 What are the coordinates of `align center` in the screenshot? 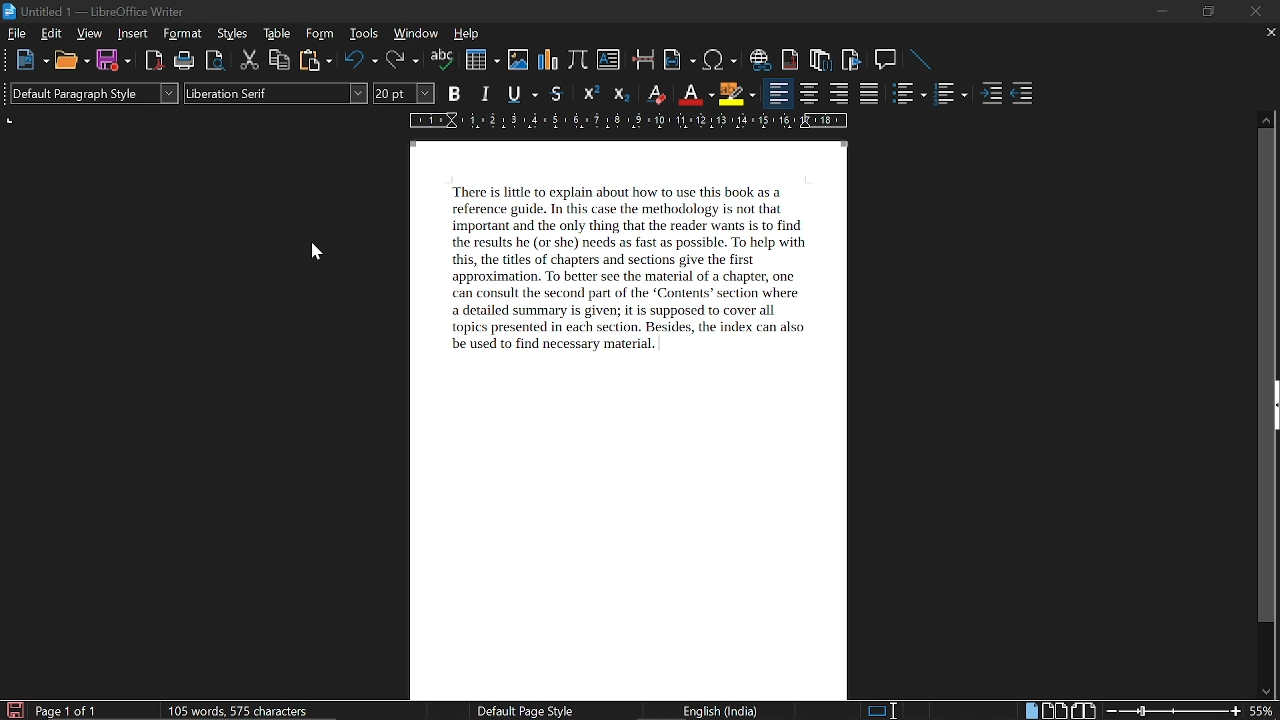 It's located at (809, 94).